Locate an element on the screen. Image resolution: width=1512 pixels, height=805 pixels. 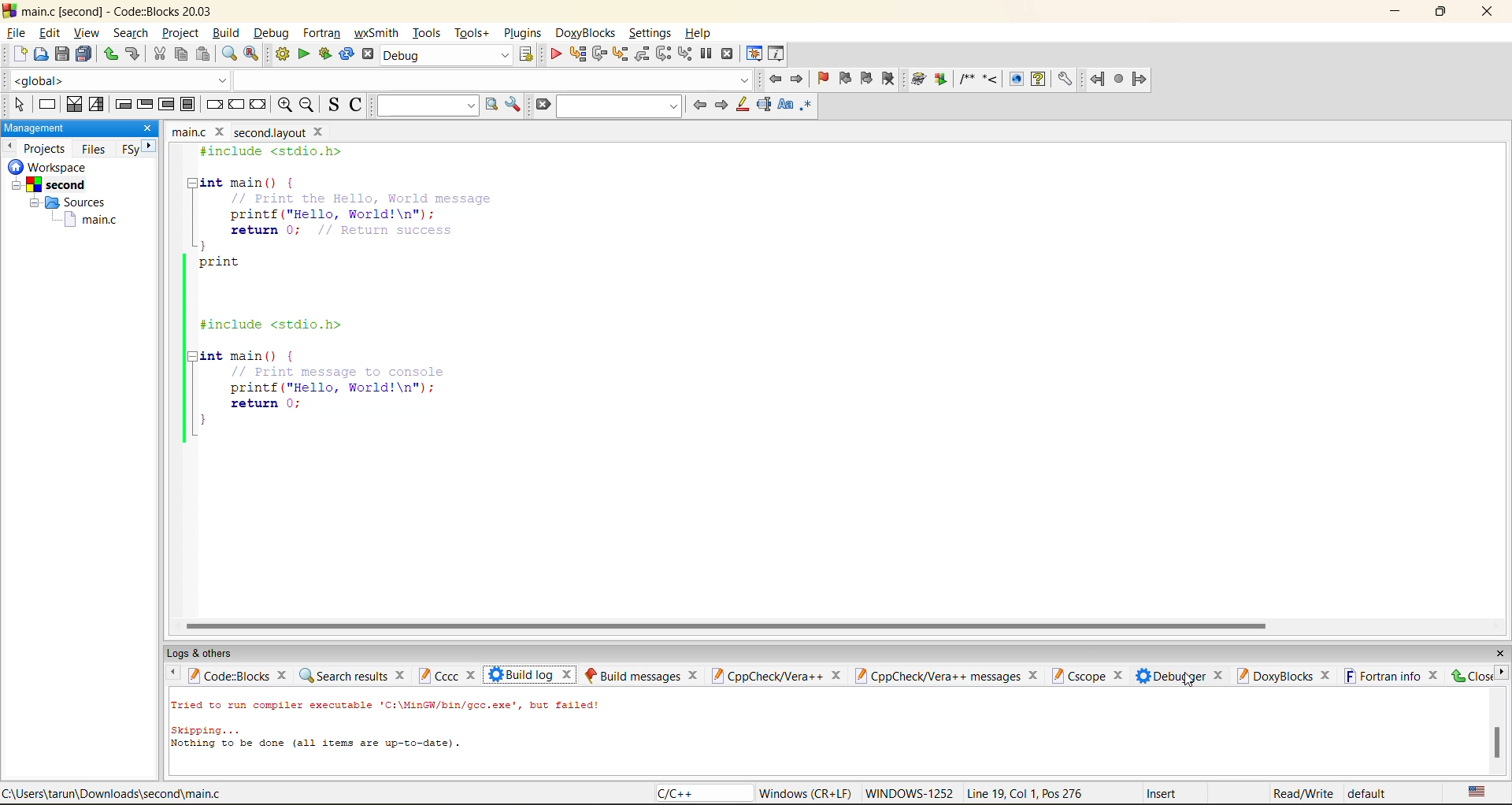
horizontal scroll bar is located at coordinates (731, 621).